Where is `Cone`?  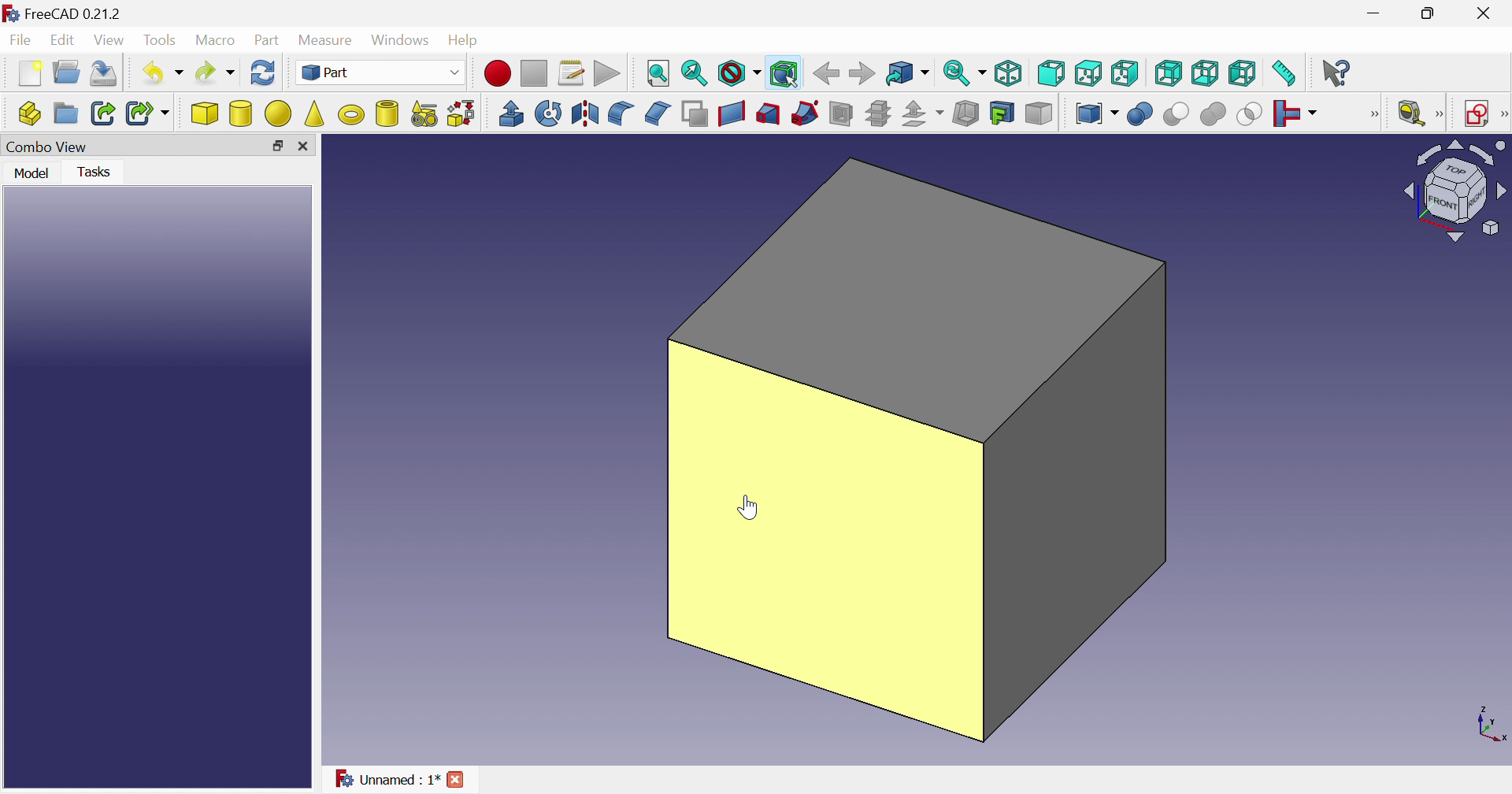 Cone is located at coordinates (316, 113).